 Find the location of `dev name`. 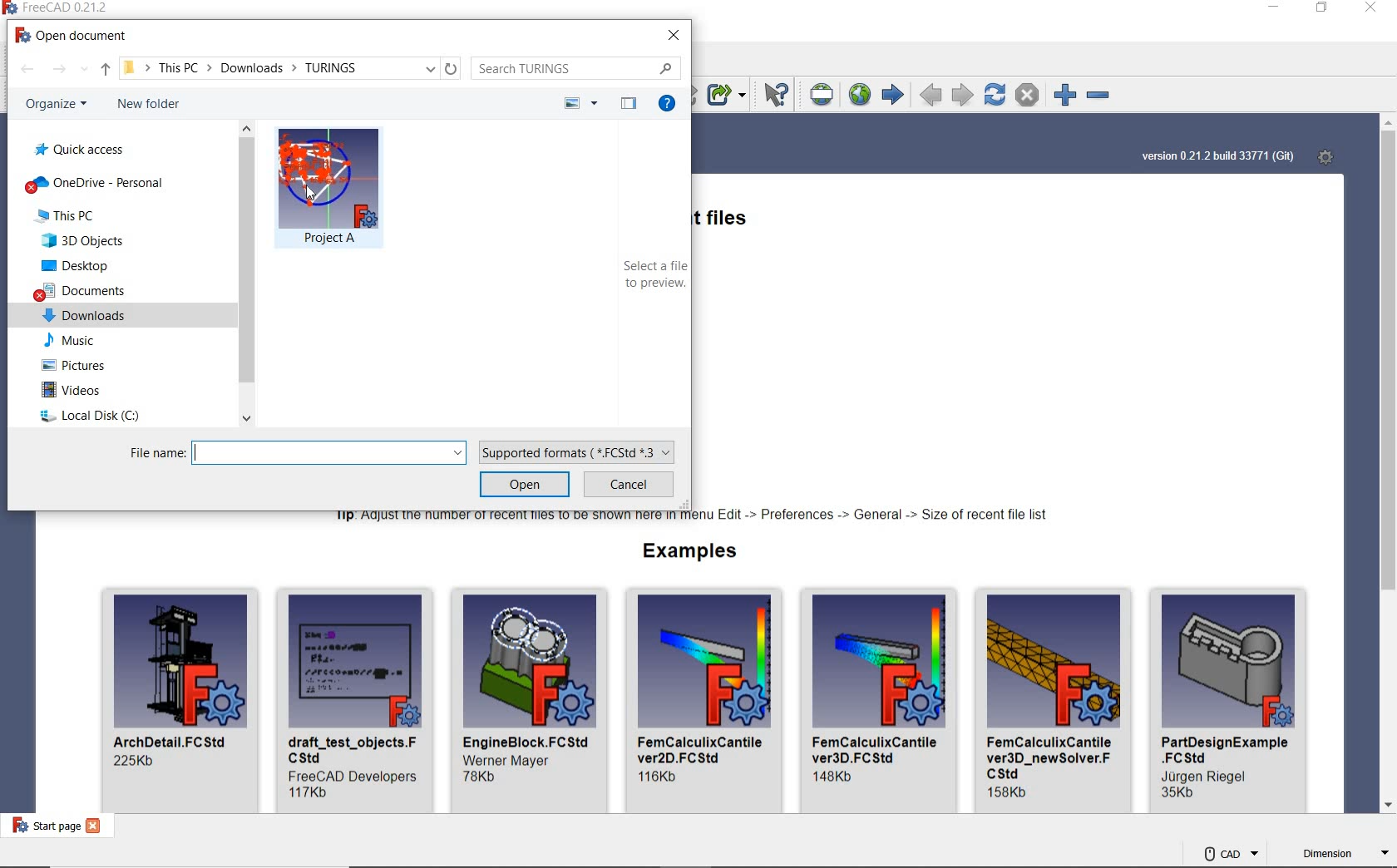

dev name is located at coordinates (1210, 777).